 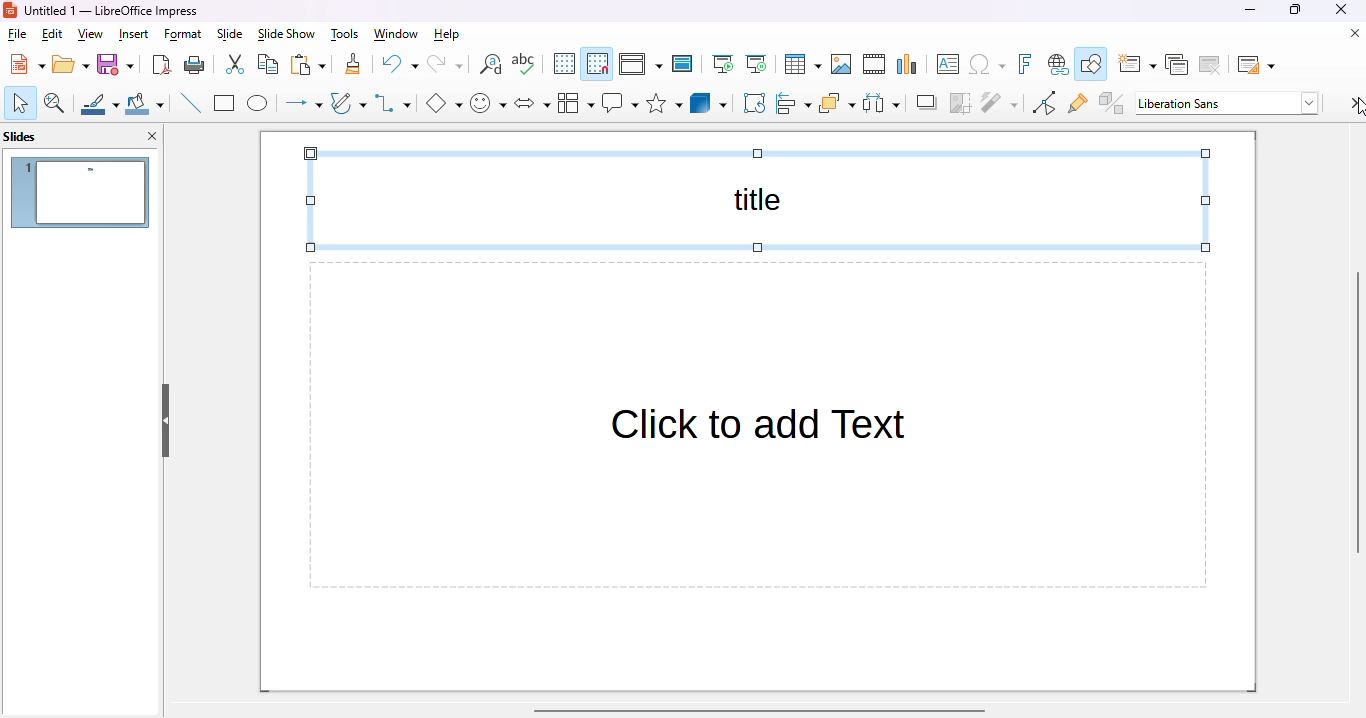 What do you see at coordinates (308, 65) in the screenshot?
I see `paste` at bounding box center [308, 65].